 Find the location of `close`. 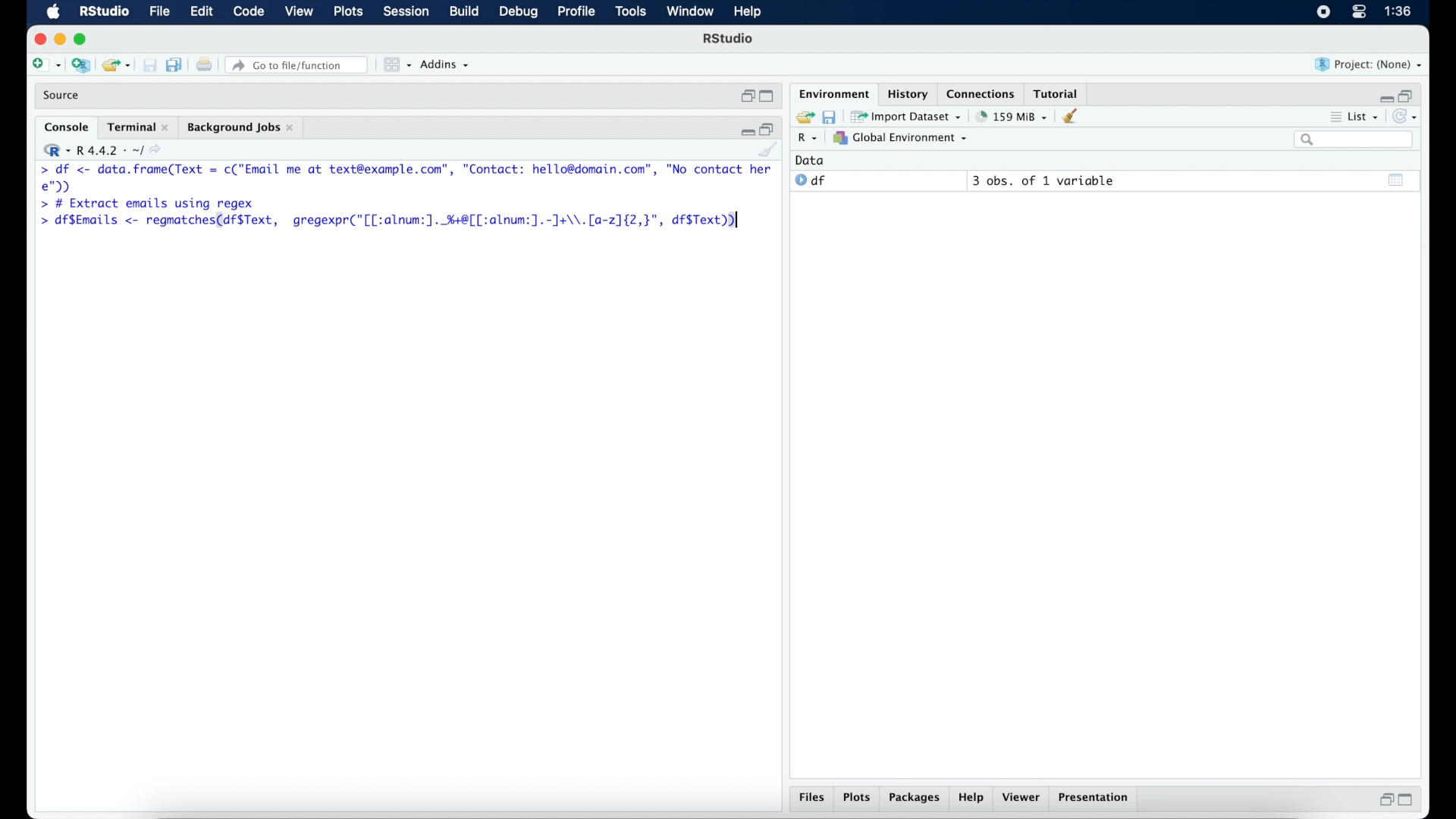

close is located at coordinates (37, 37).